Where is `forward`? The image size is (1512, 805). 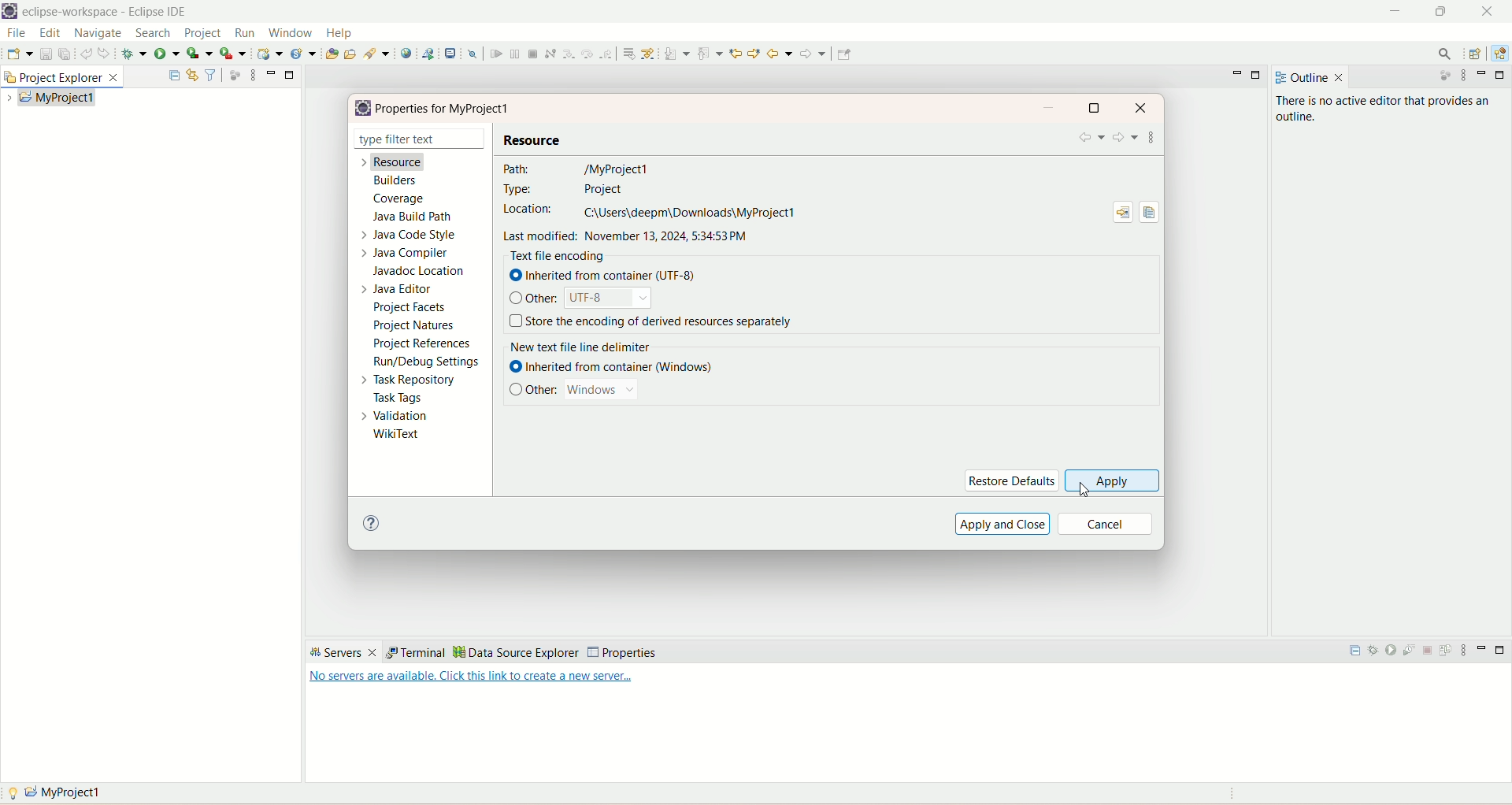 forward is located at coordinates (813, 54).